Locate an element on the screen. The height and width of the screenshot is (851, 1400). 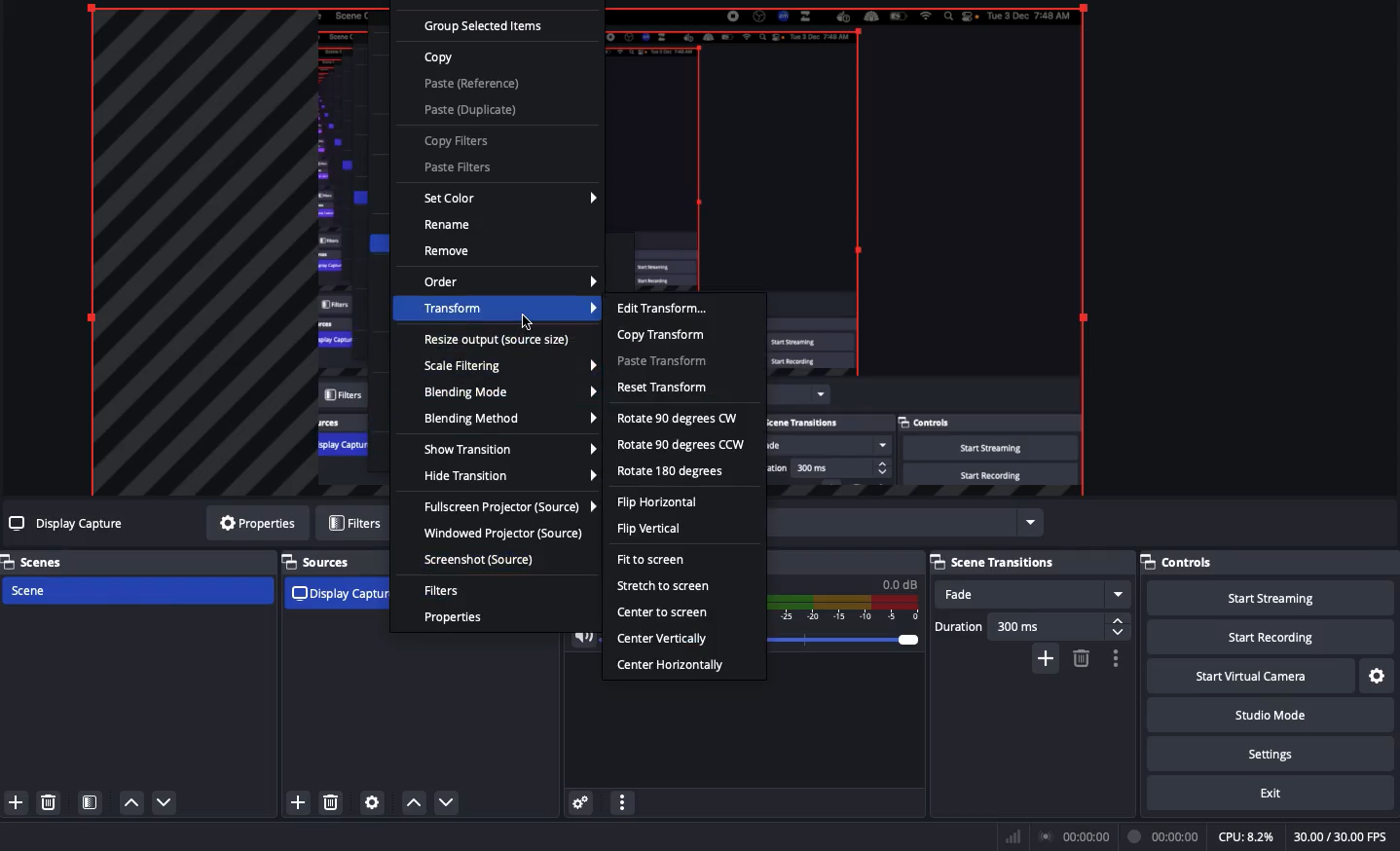
Recording is located at coordinates (1165, 836).